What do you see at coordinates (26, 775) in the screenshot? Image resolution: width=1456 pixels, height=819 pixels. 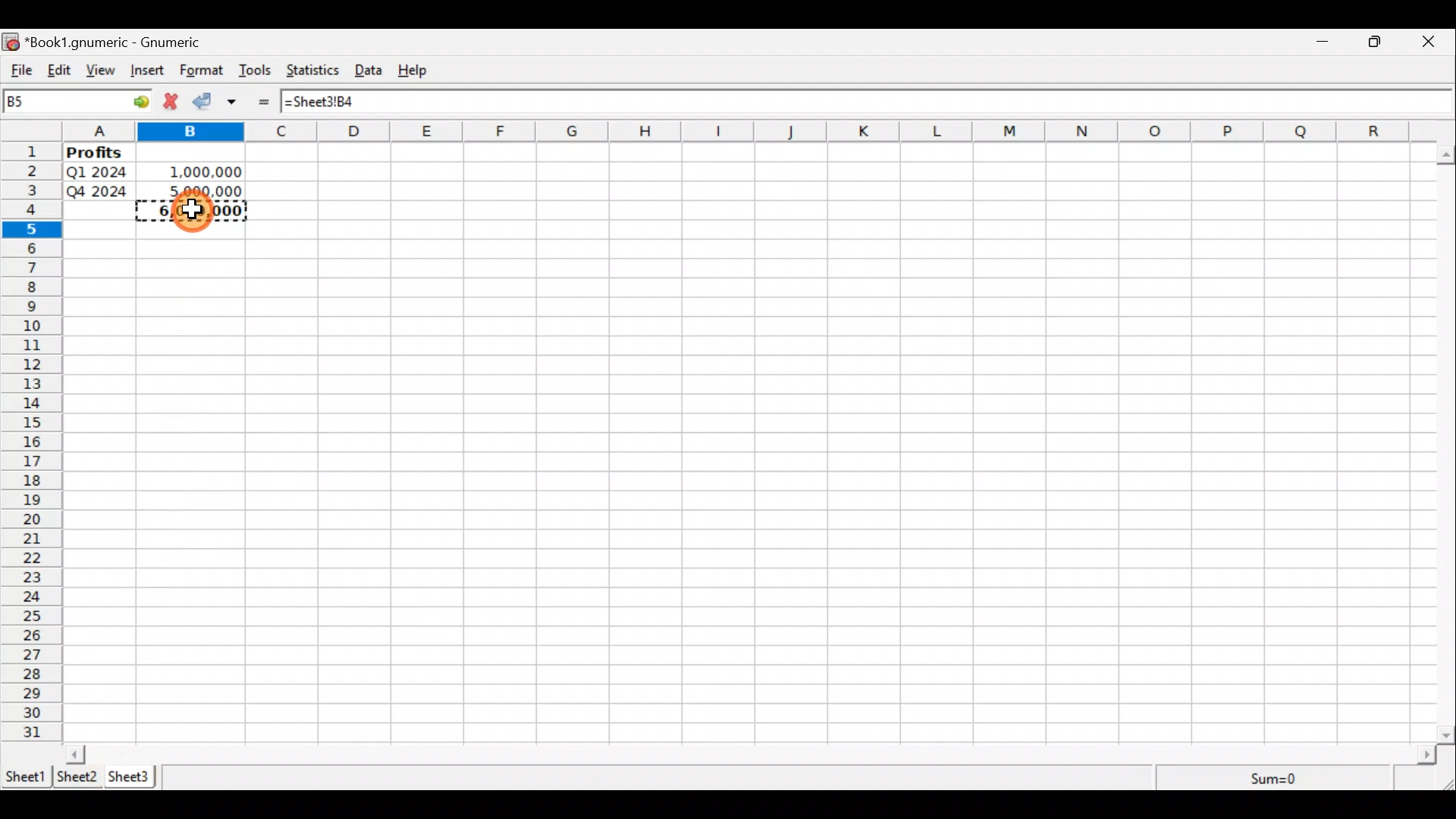 I see `Sheet 1` at bounding box center [26, 775].